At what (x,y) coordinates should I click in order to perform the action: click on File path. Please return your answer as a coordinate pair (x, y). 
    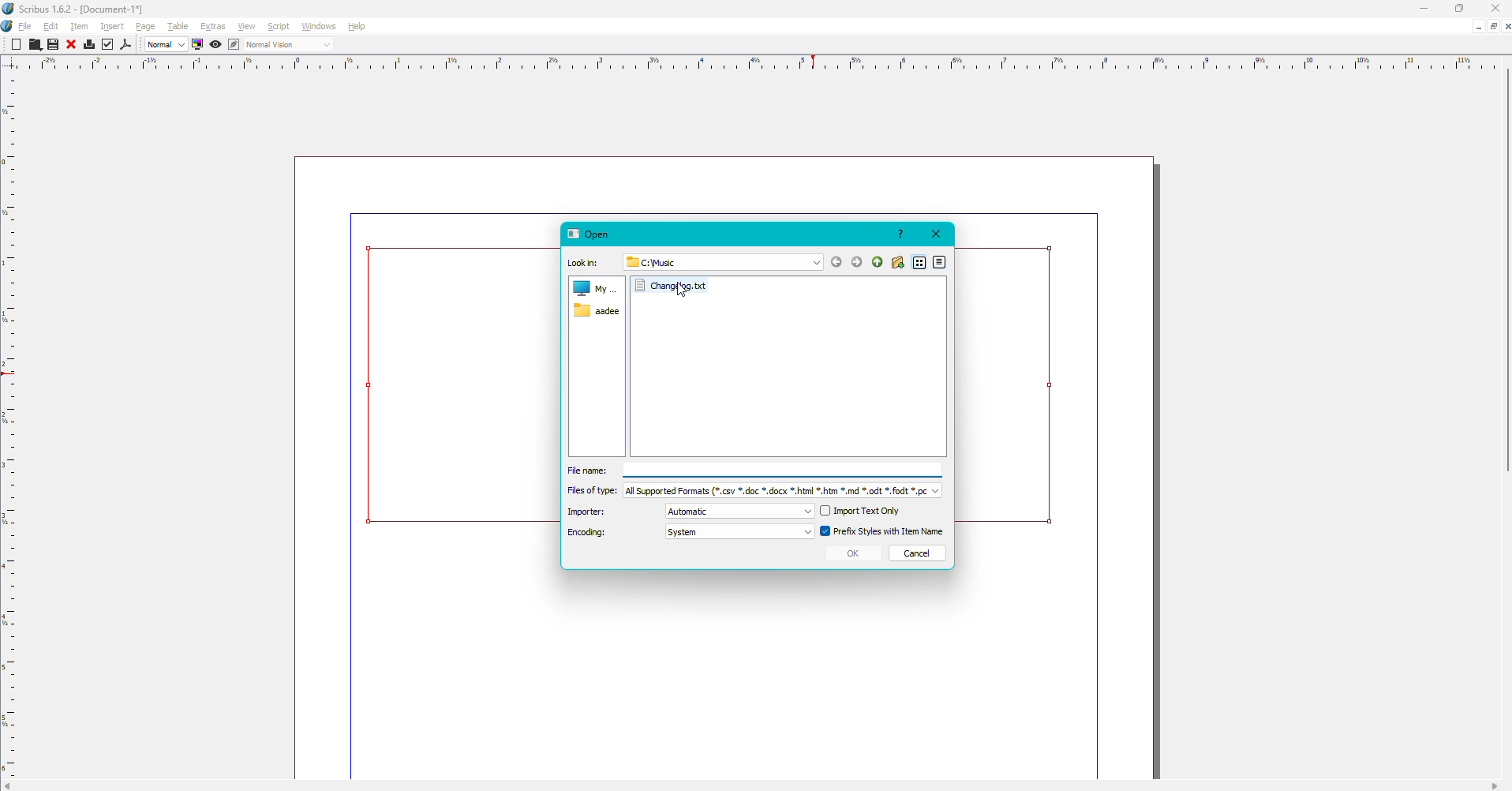
    Looking at the image, I should click on (661, 261).